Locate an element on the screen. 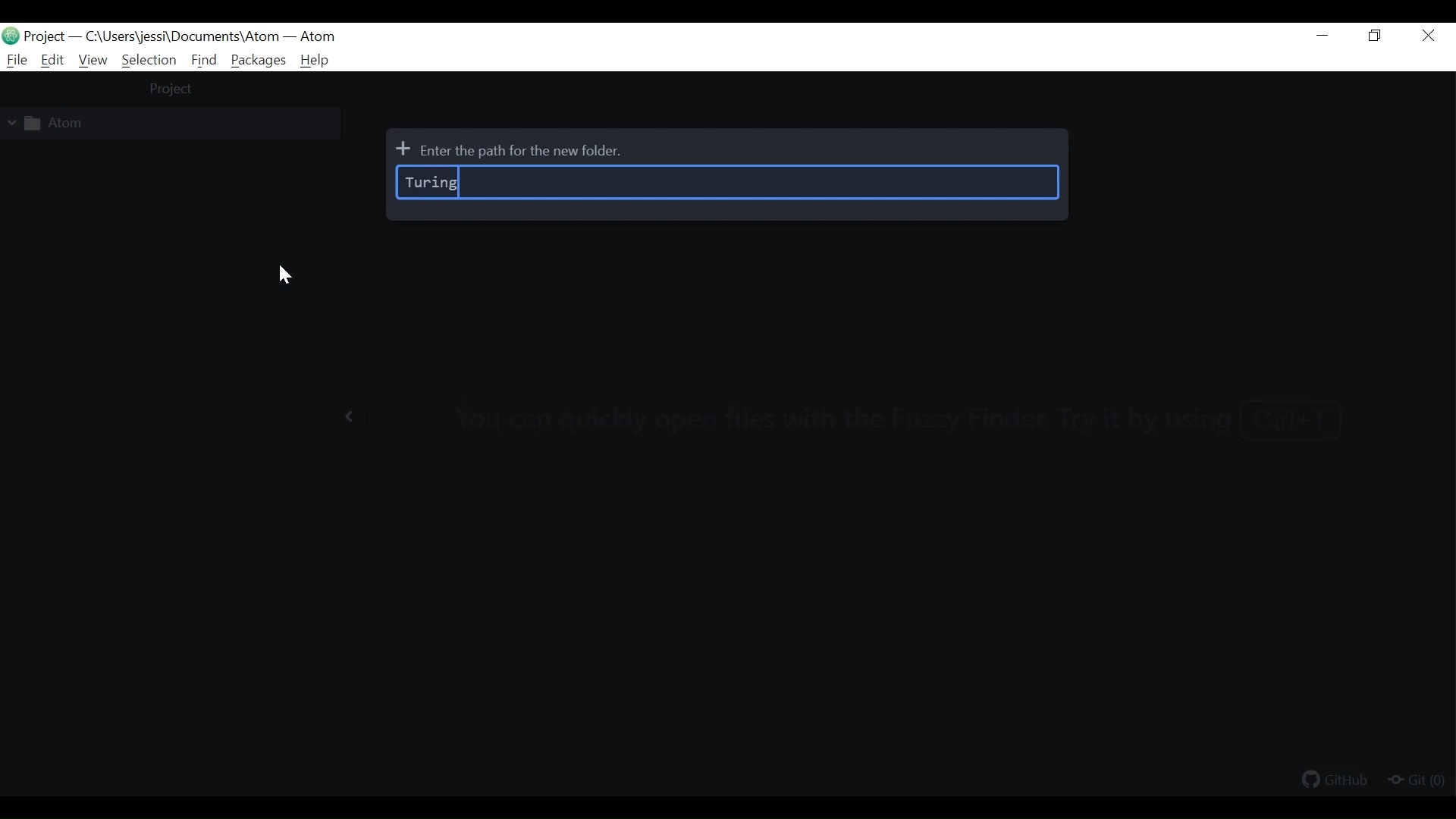 The height and width of the screenshot is (819, 1456). Atom is located at coordinates (317, 37).